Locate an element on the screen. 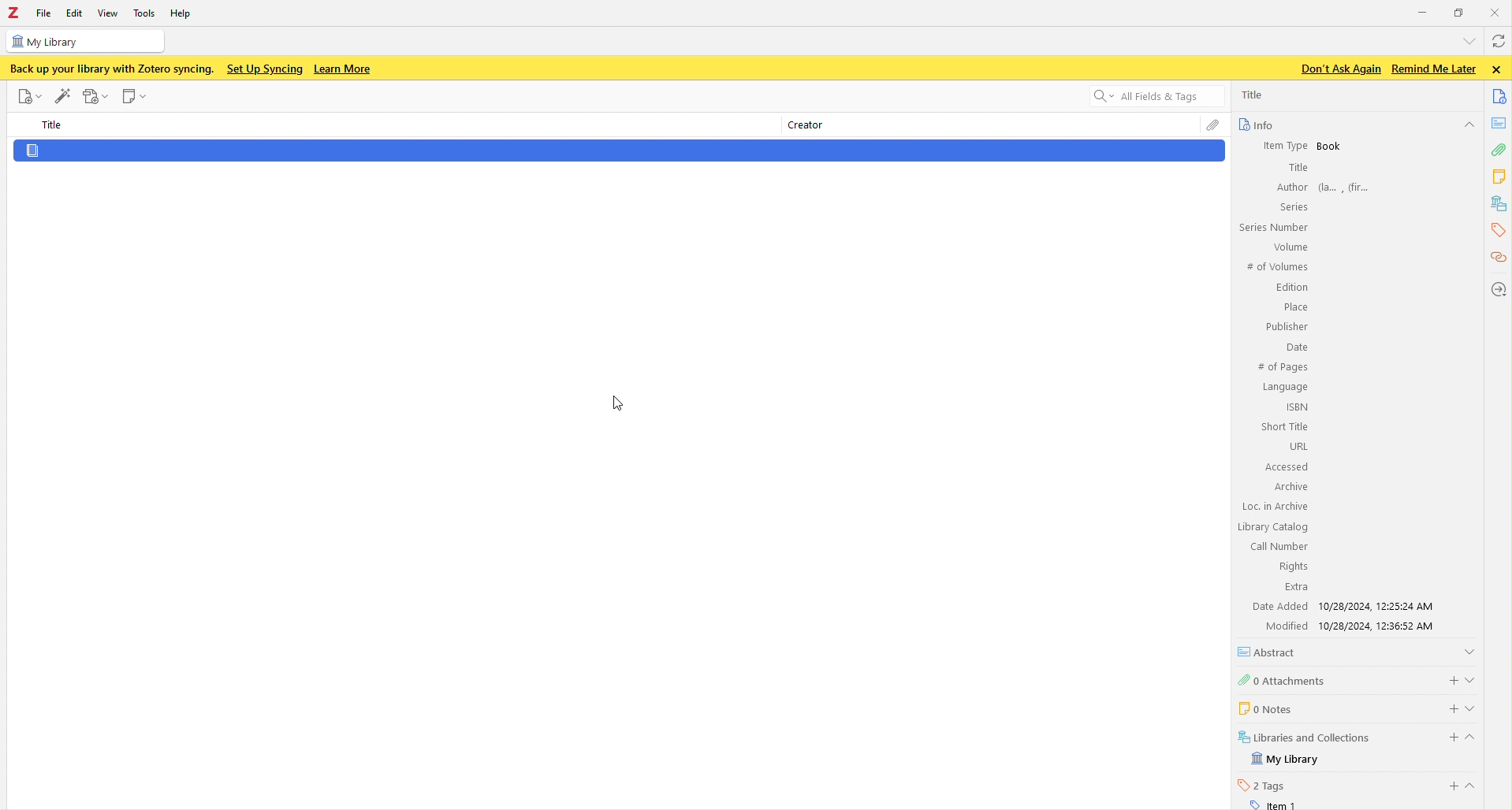 Image resolution: width=1512 pixels, height=810 pixels. hide is located at coordinates (1468, 126).